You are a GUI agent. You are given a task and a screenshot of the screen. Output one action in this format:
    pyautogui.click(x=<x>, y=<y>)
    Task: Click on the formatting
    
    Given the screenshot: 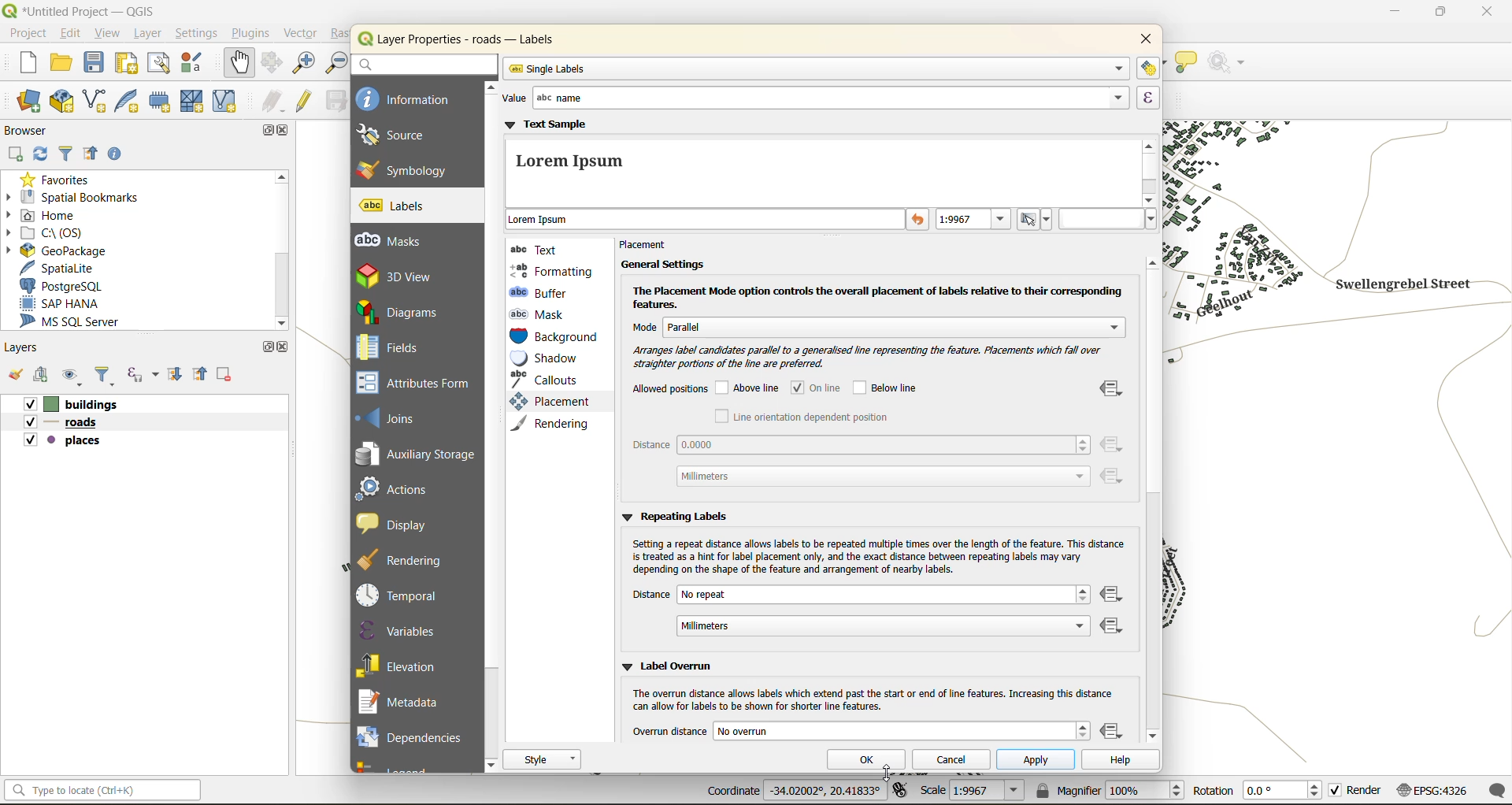 What is the action you would take?
    pyautogui.click(x=552, y=271)
    